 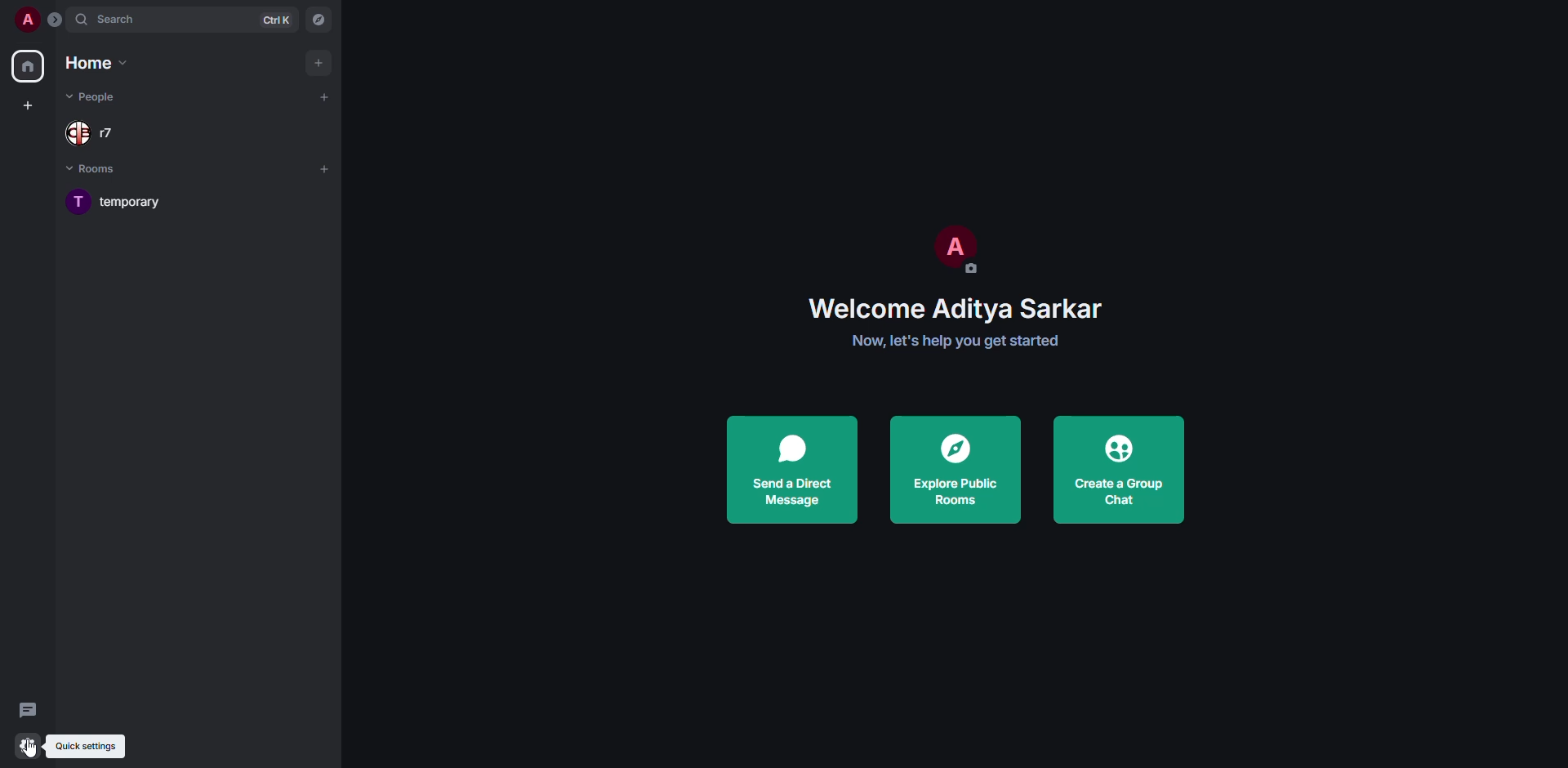 I want to click on people, so click(x=101, y=96).